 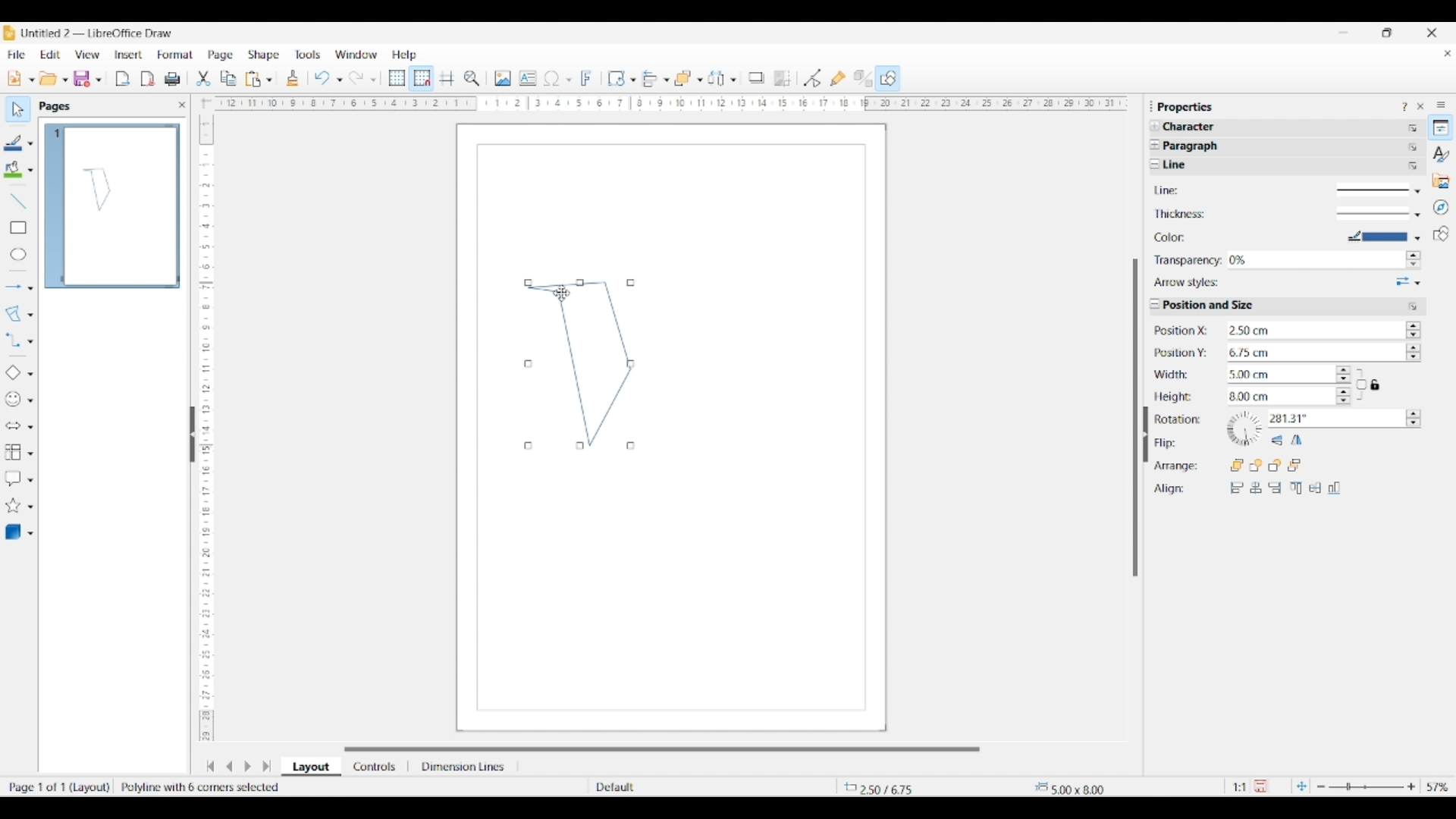 What do you see at coordinates (267, 766) in the screenshot?
I see `Jump to the last slide` at bounding box center [267, 766].